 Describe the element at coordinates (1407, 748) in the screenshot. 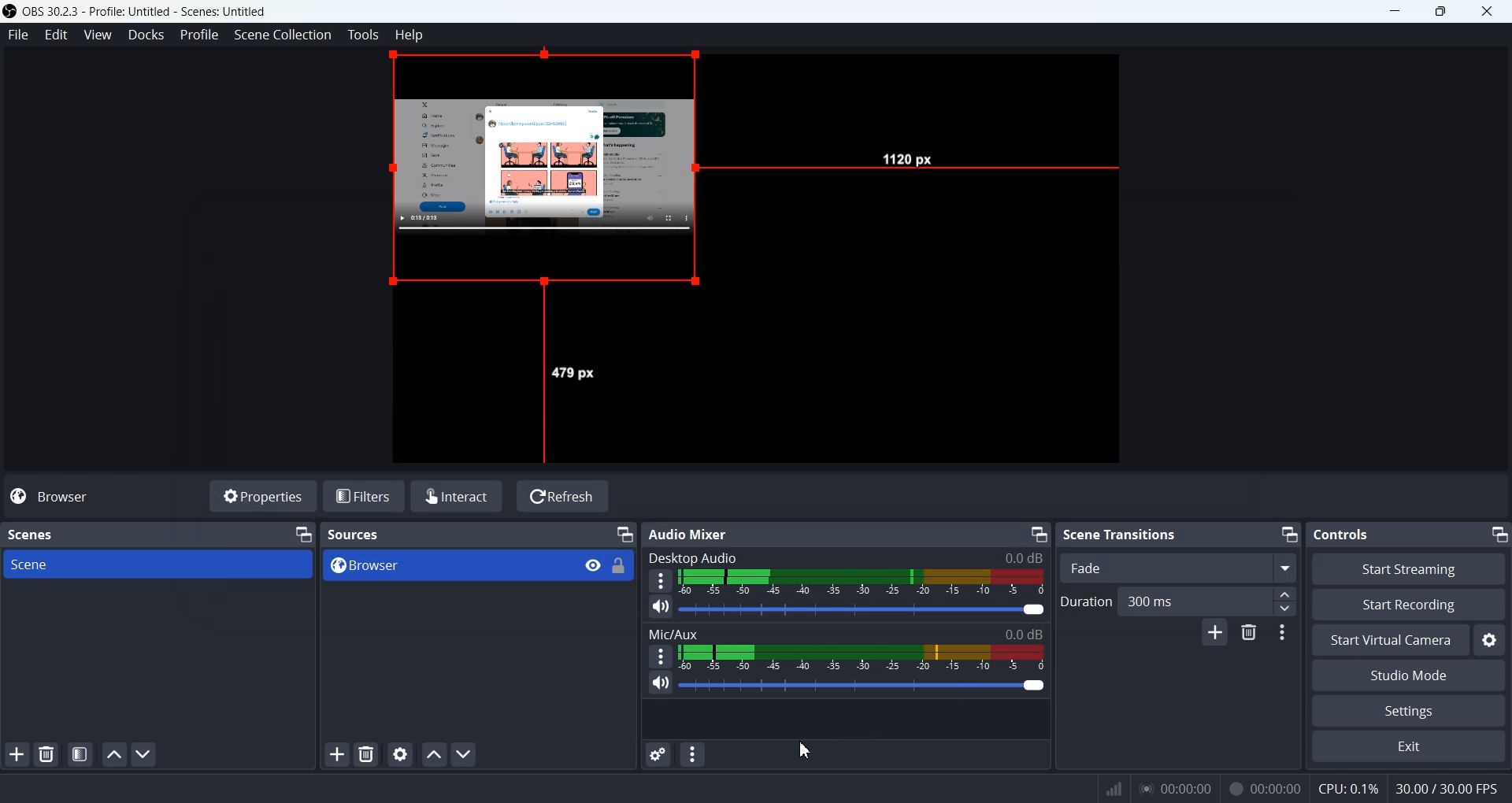

I see `Exit` at that location.